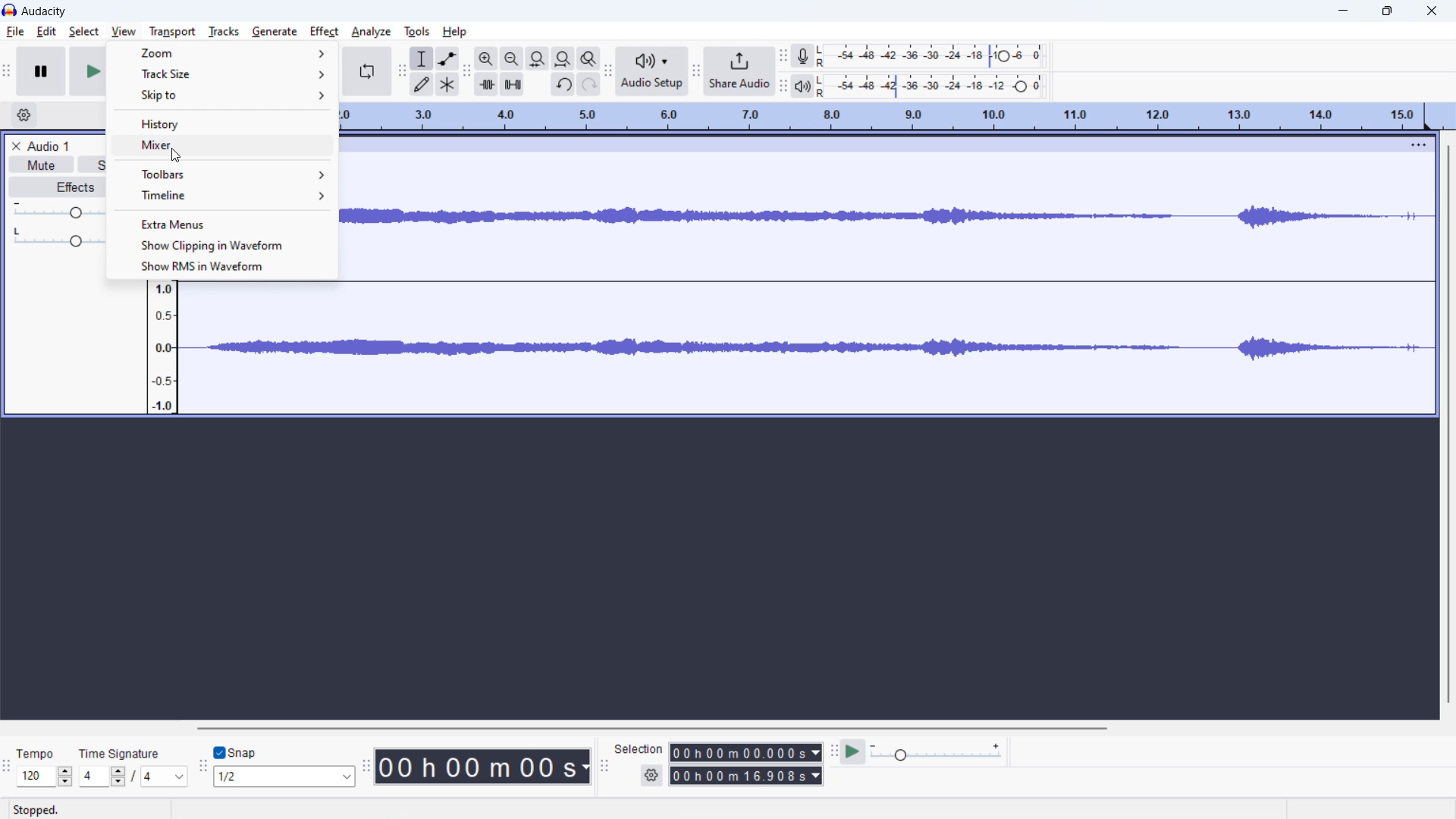 This screenshot has width=1456, height=819. What do you see at coordinates (16, 146) in the screenshot?
I see `delete` at bounding box center [16, 146].